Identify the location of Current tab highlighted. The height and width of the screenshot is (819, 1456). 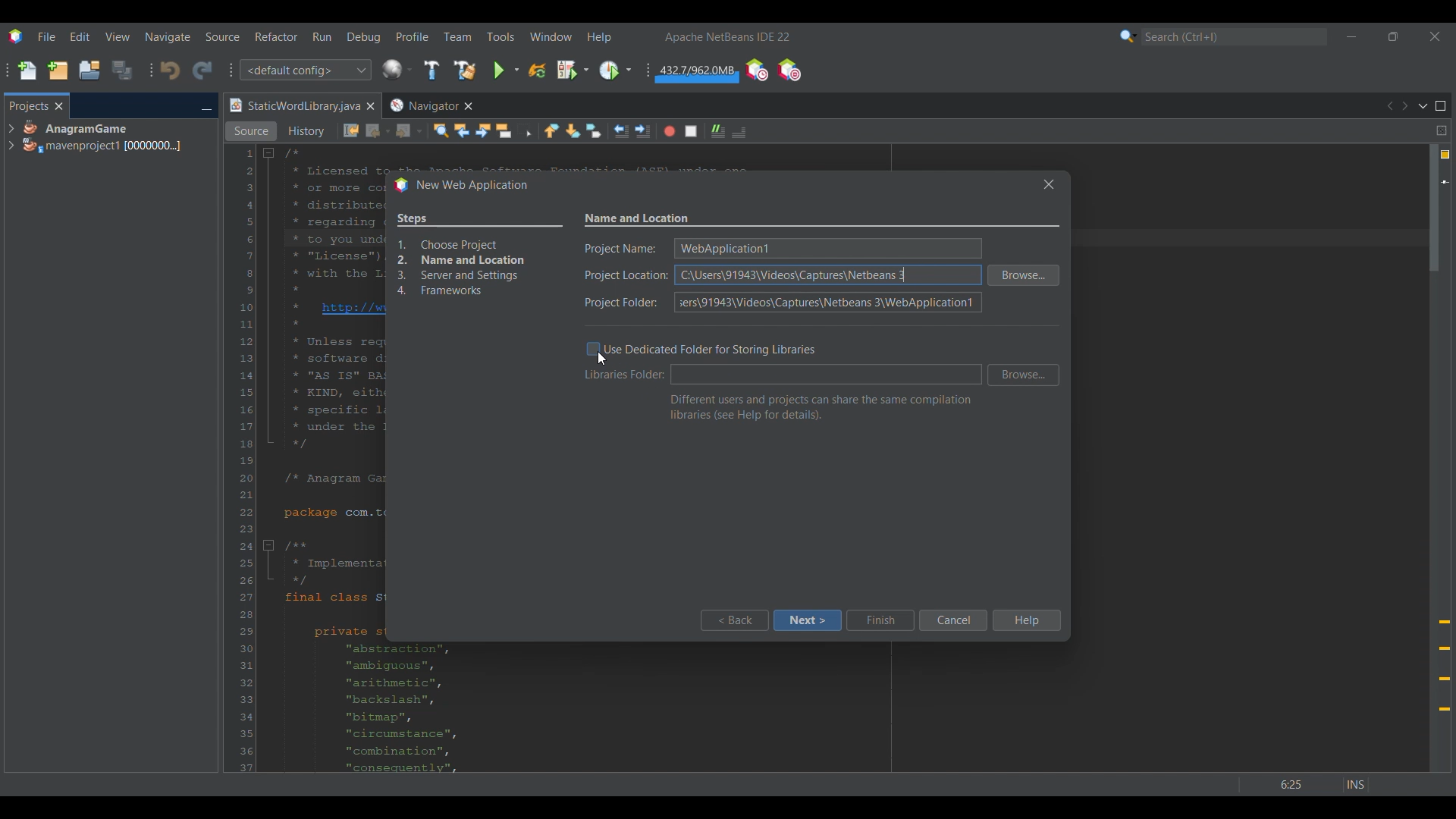
(293, 106).